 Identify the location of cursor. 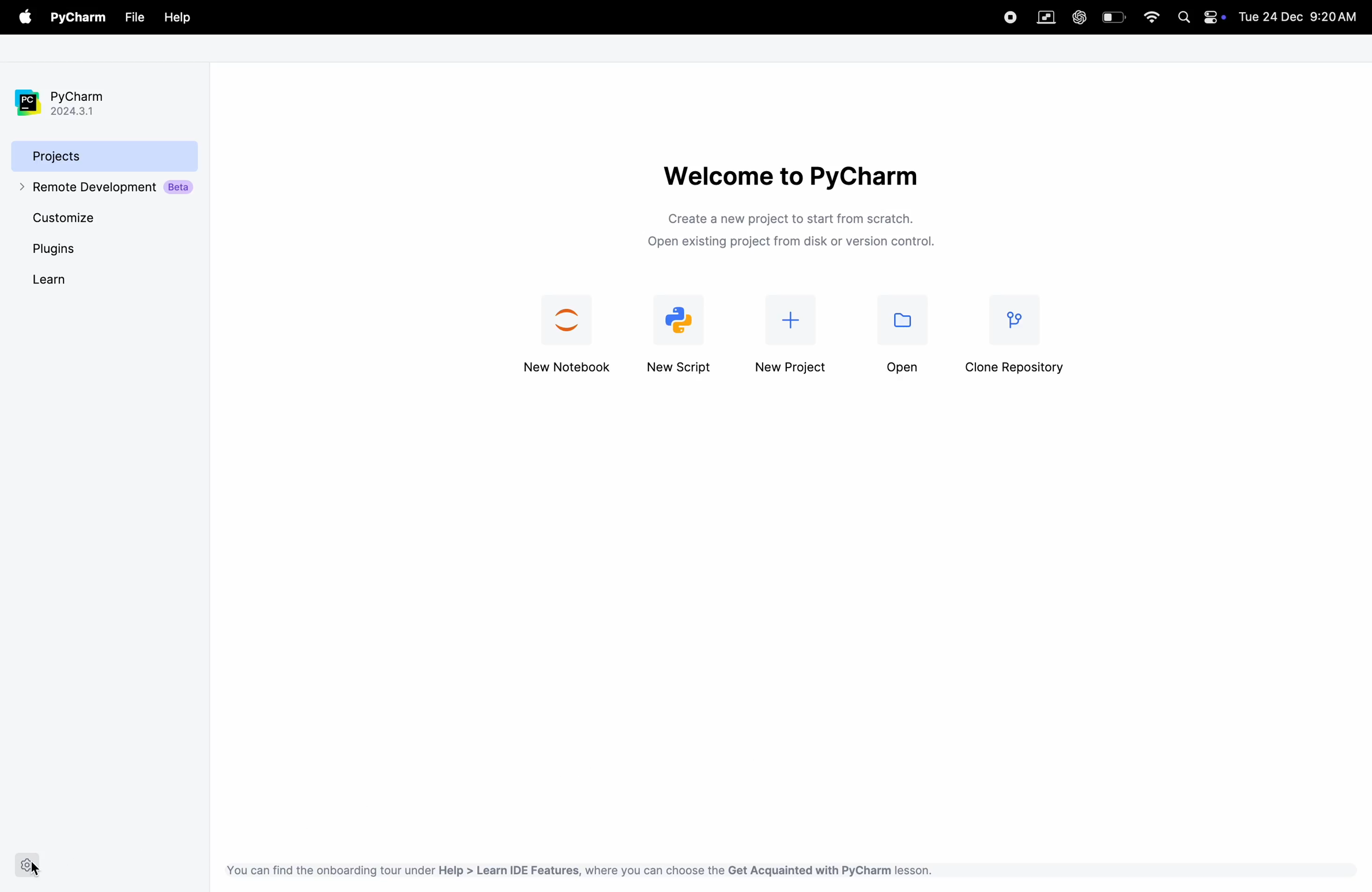
(35, 869).